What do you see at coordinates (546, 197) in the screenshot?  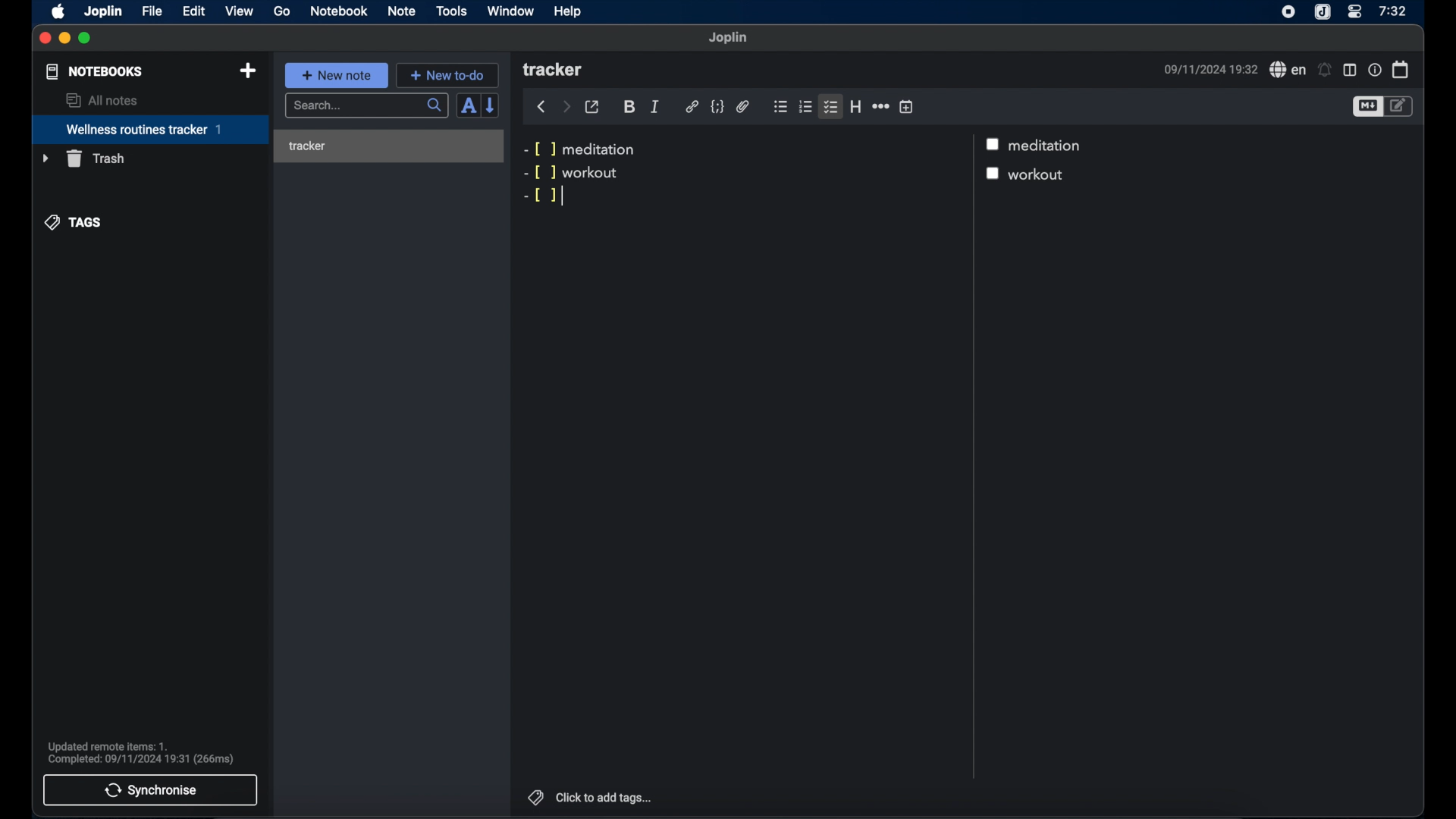 I see `-[ ]` at bounding box center [546, 197].